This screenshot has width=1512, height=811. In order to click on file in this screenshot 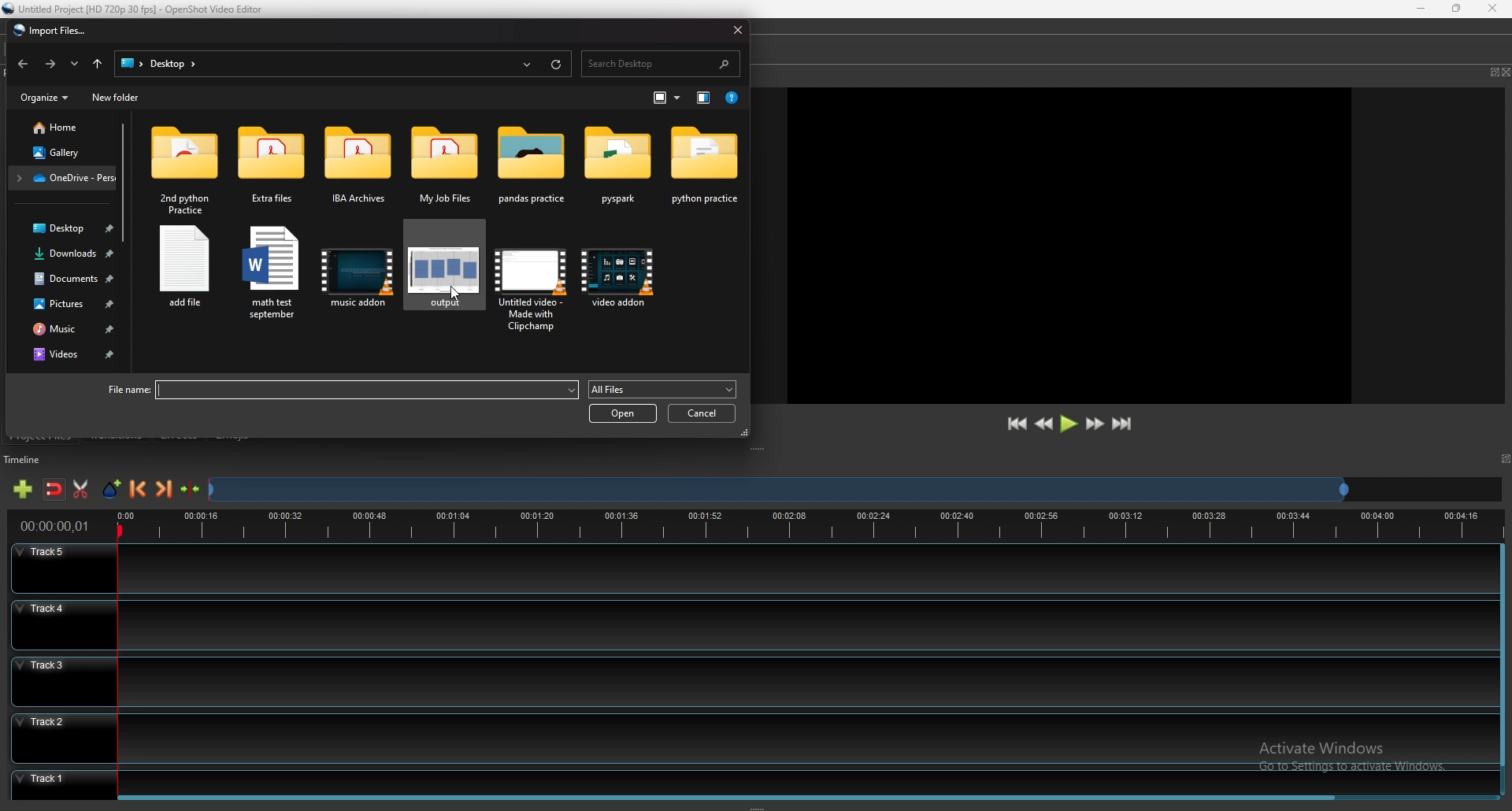, I will do `click(338, 391)`.